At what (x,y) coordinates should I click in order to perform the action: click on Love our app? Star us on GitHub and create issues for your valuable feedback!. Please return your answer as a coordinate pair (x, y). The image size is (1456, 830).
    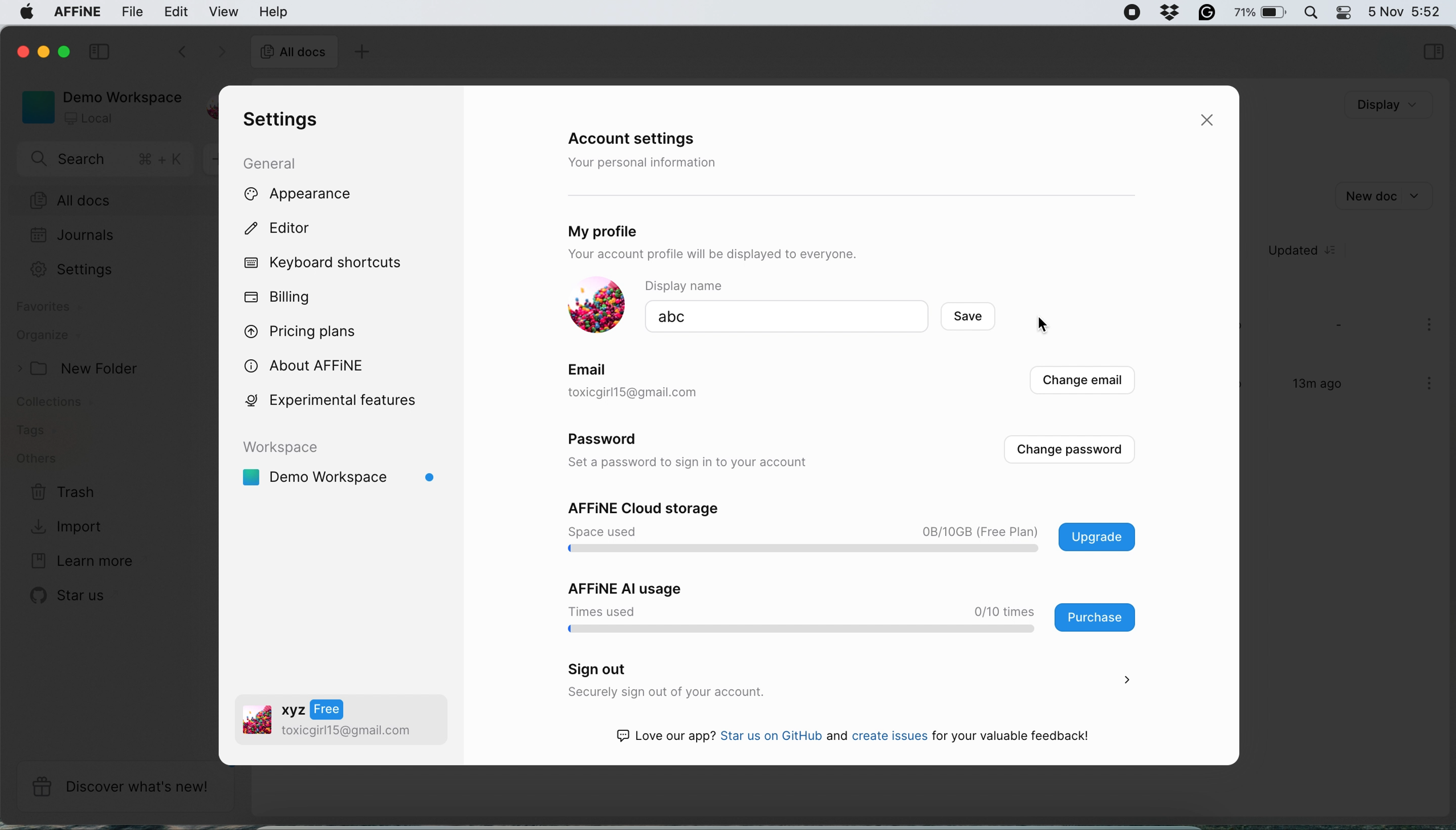
    Looking at the image, I should click on (864, 738).